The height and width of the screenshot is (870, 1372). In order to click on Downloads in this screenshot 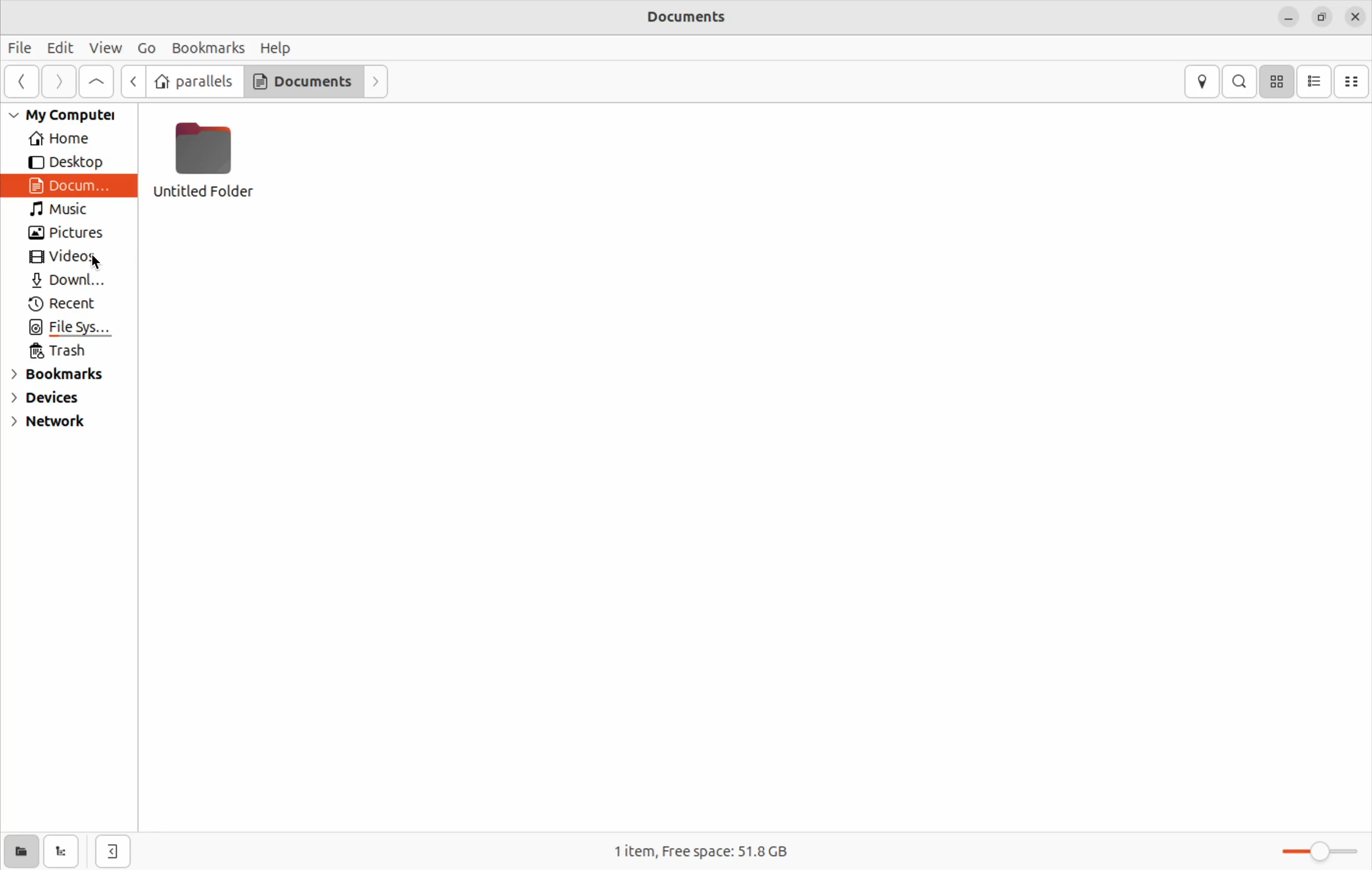, I will do `click(69, 282)`.